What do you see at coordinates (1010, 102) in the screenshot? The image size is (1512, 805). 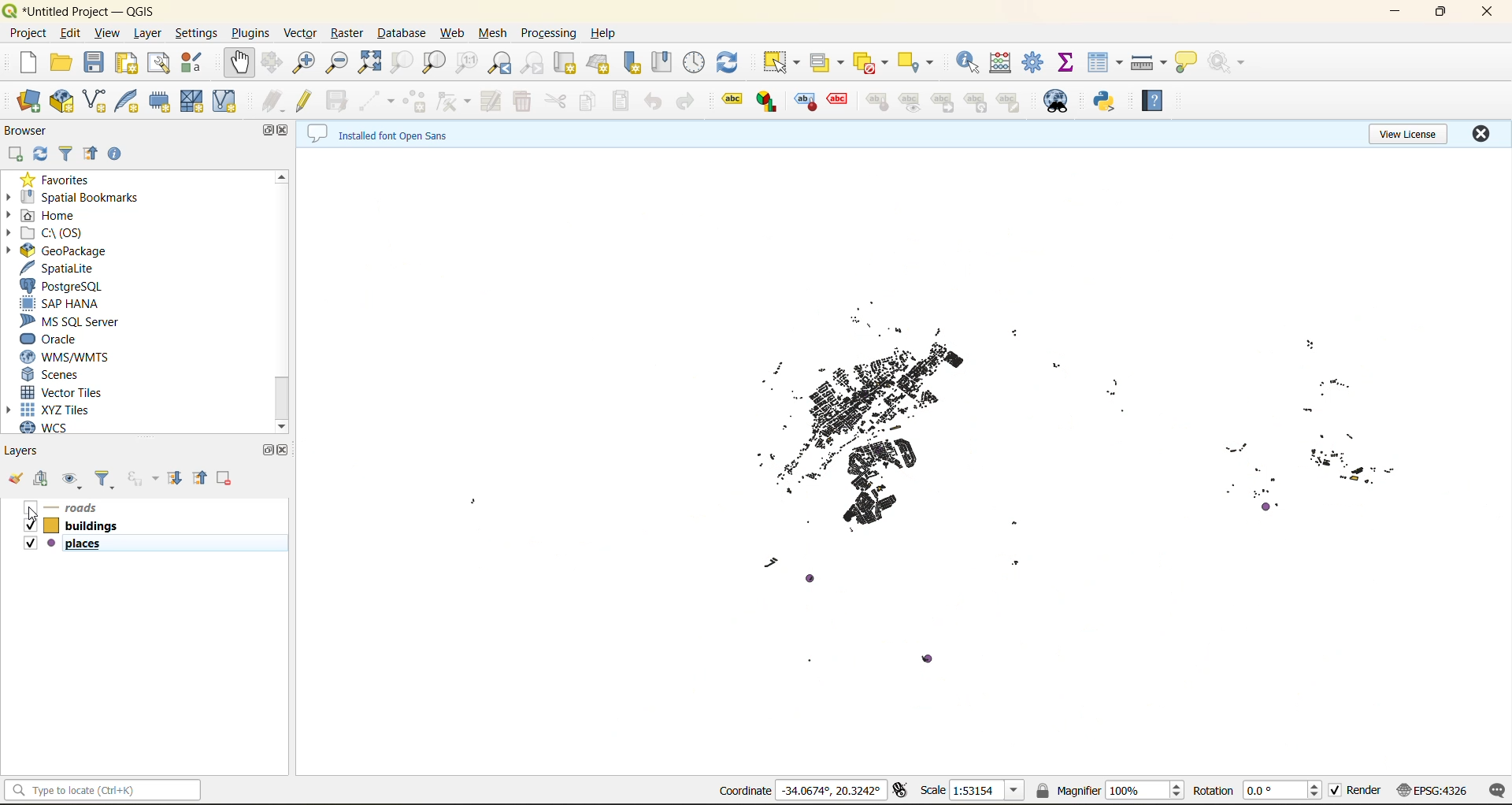 I see `labels toolbar 9` at bounding box center [1010, 102].